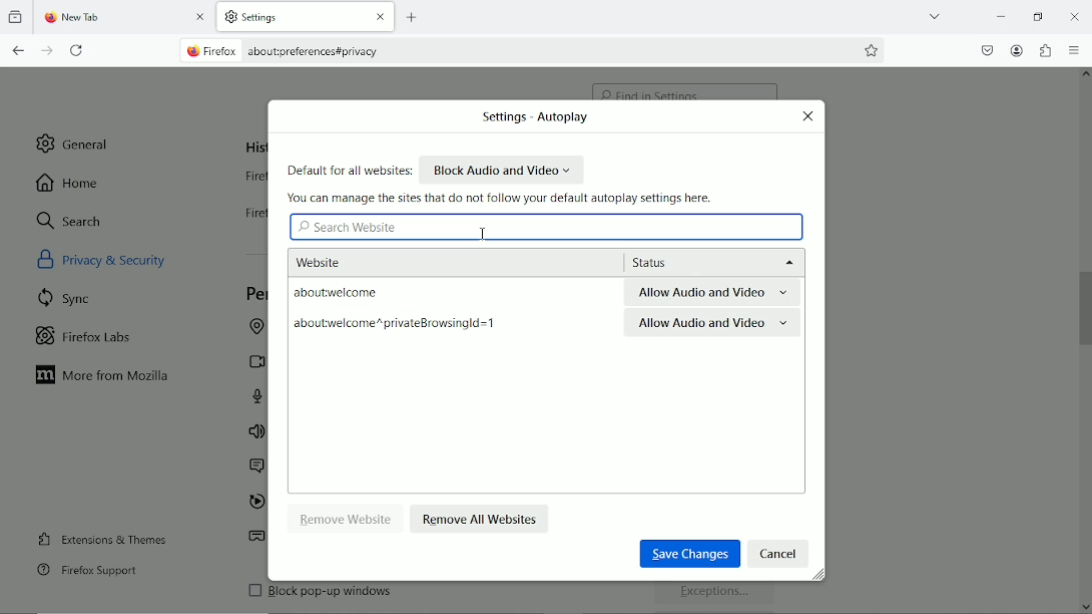 The height and width of the screenshot is (614, 1092). Describe the element at coordinates (530, 118) in the screenshot. I see `settings autoplay` at that location.